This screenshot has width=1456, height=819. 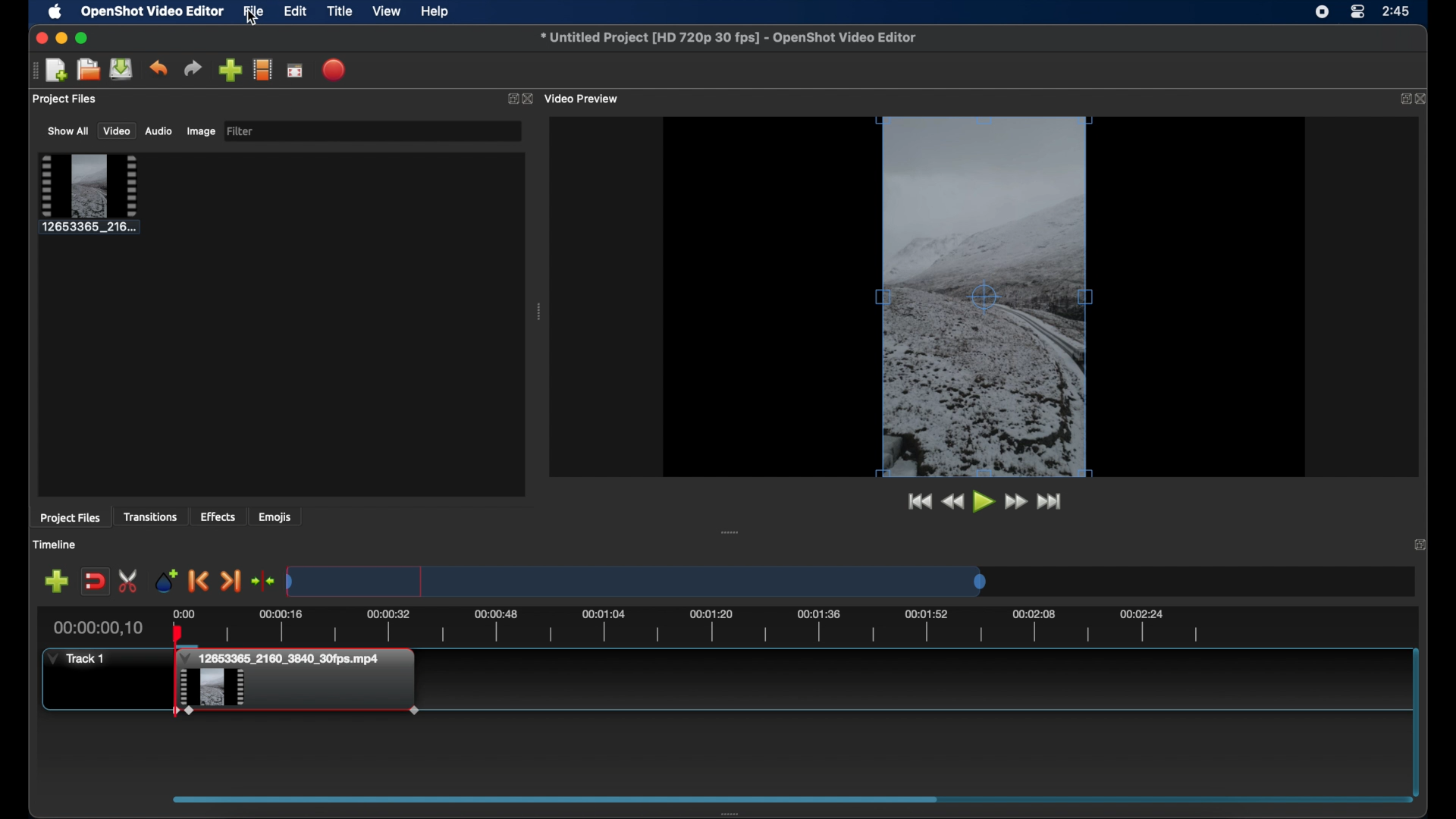 What do you see at coordinates (689, 626) in the screenshot?
I see `timeline` at bounding box center [689, 626].